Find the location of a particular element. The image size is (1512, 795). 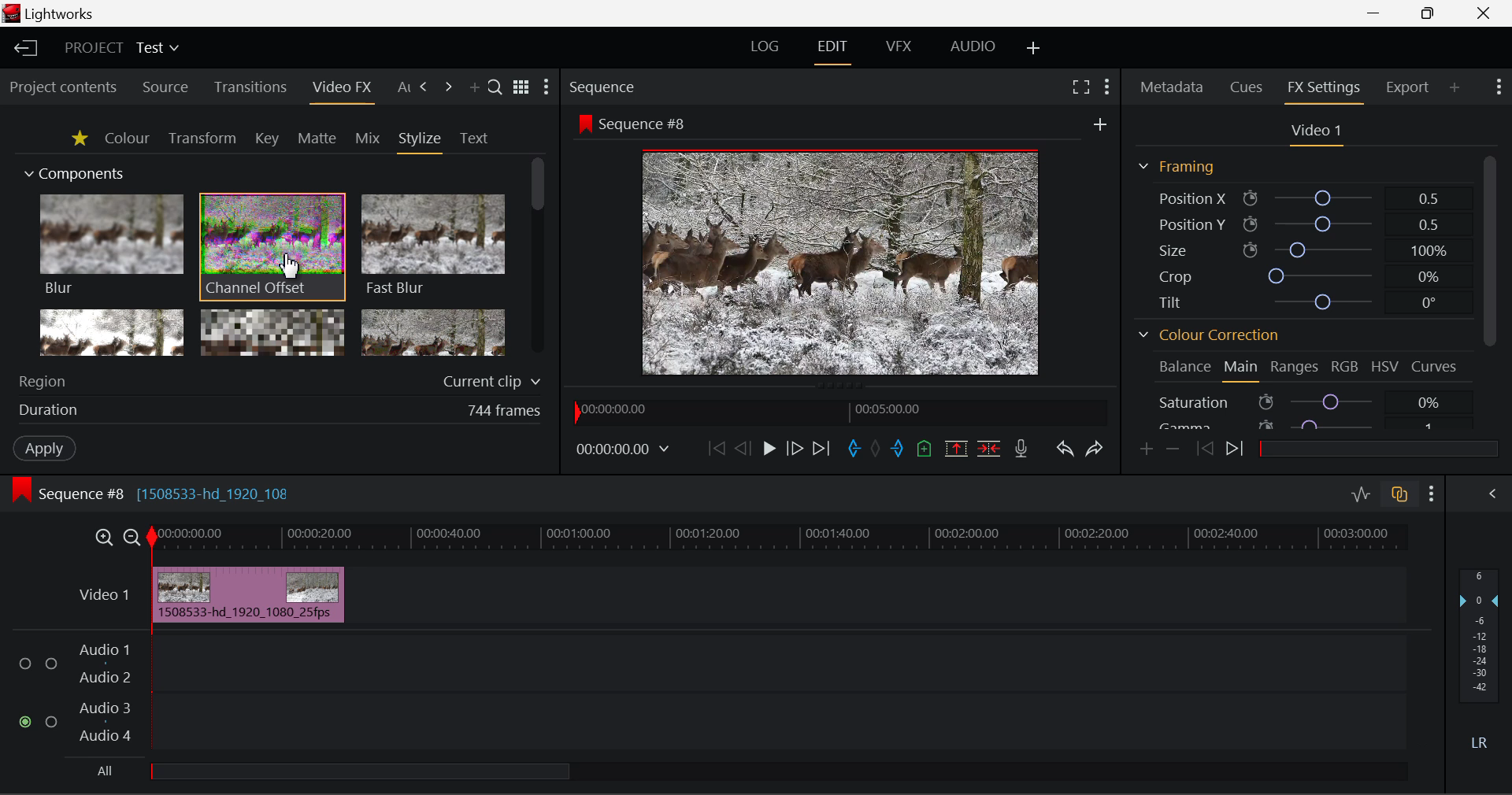

LOG Layout is located at coordinates (765, 50).